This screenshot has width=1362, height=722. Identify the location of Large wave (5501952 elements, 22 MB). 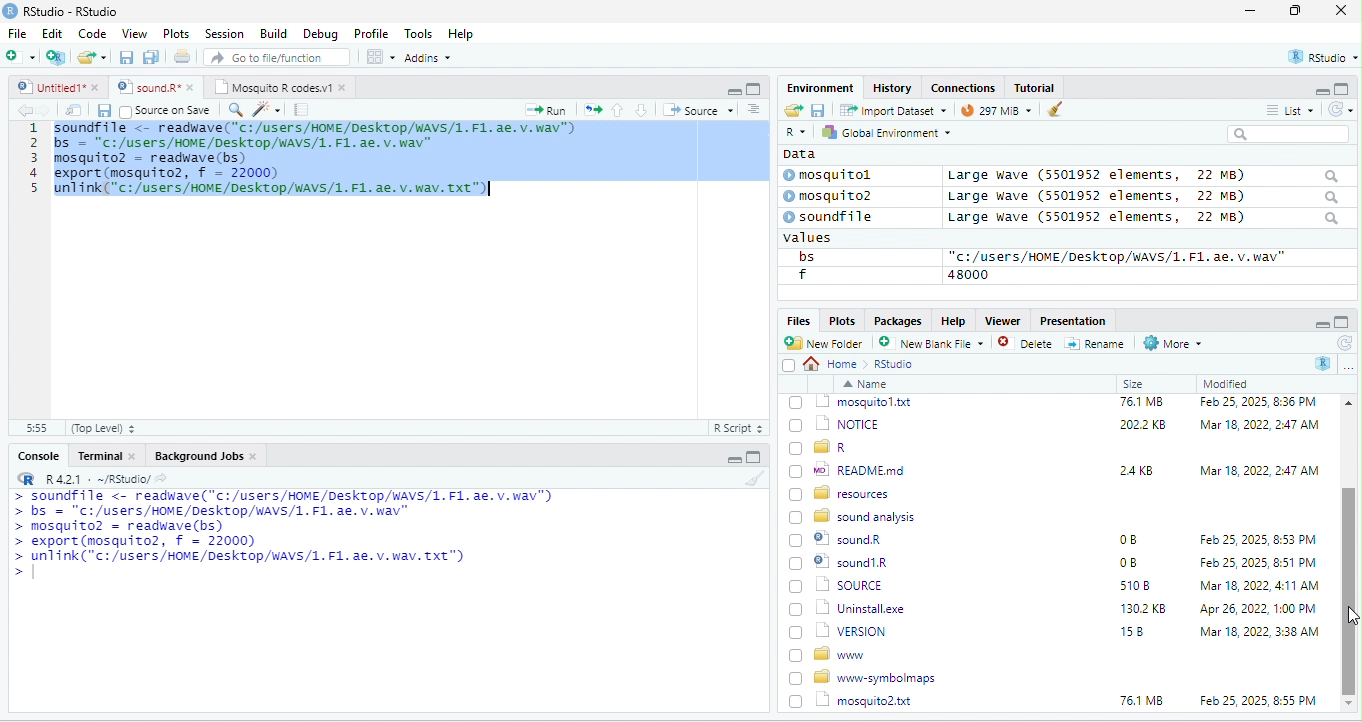
(1144, 219).